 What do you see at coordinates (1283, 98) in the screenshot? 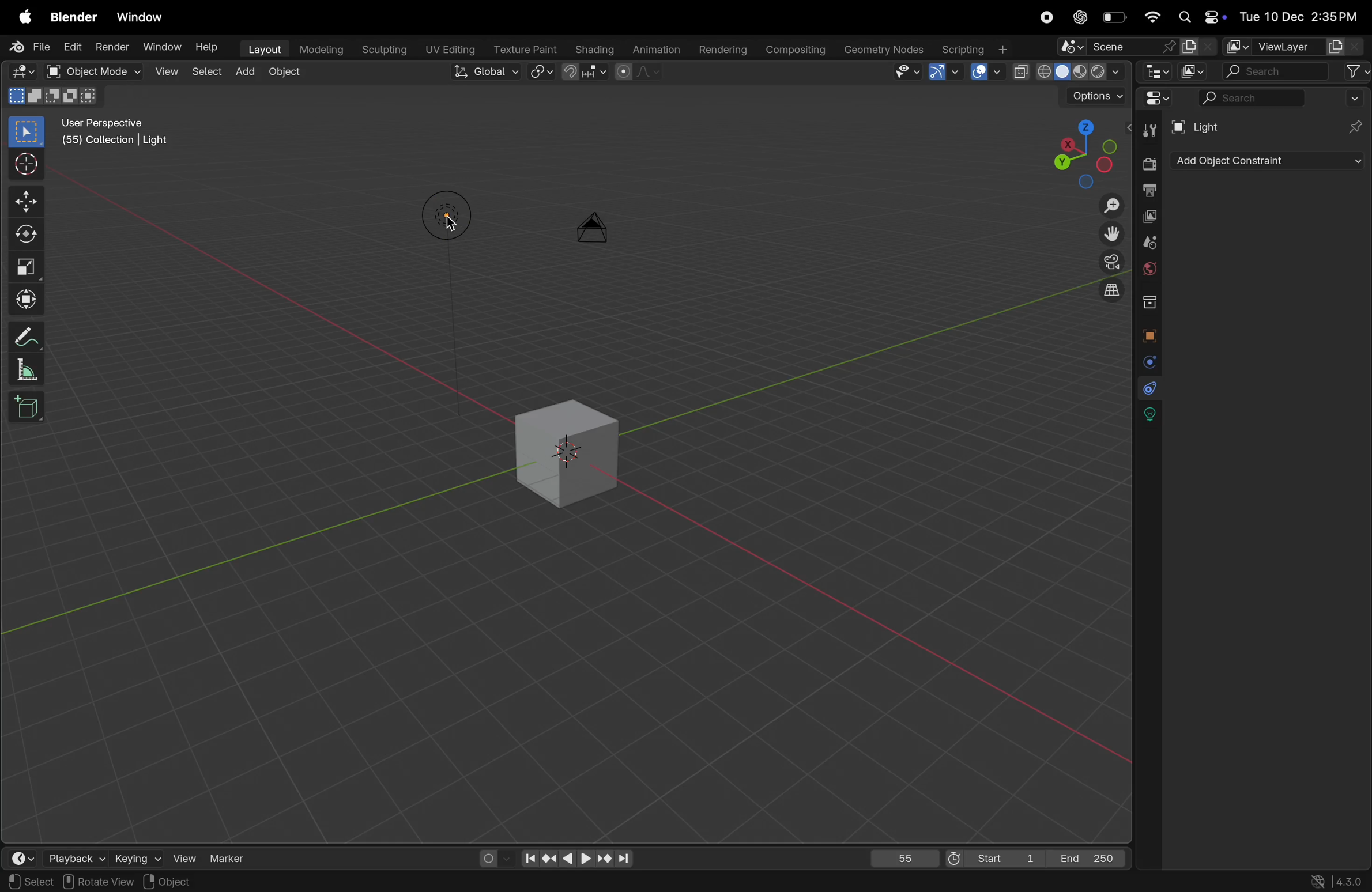
I see `search` at bounding box center [1283, 98].